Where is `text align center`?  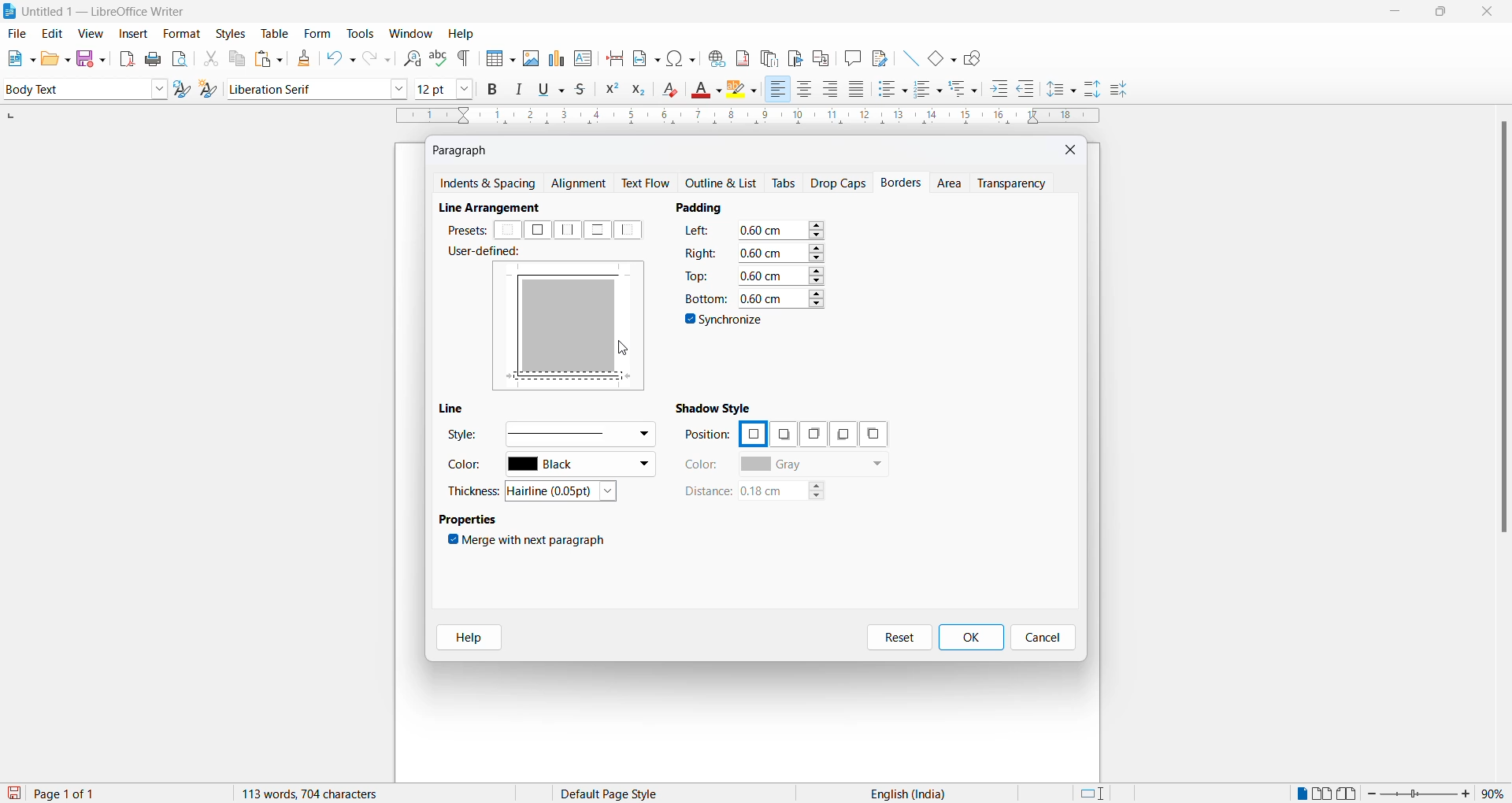
text align center is located at coordinates (805, 90).